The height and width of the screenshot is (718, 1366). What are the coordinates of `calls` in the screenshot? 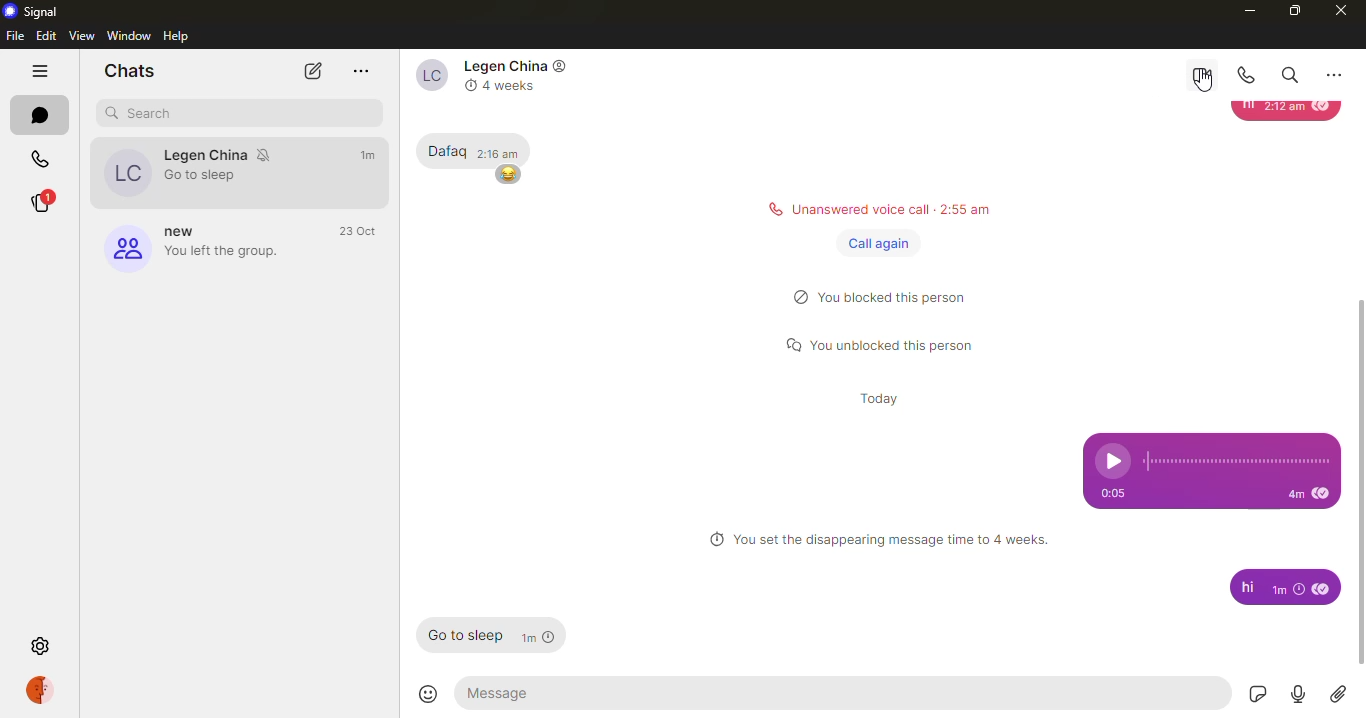 It's located at (34, 158).